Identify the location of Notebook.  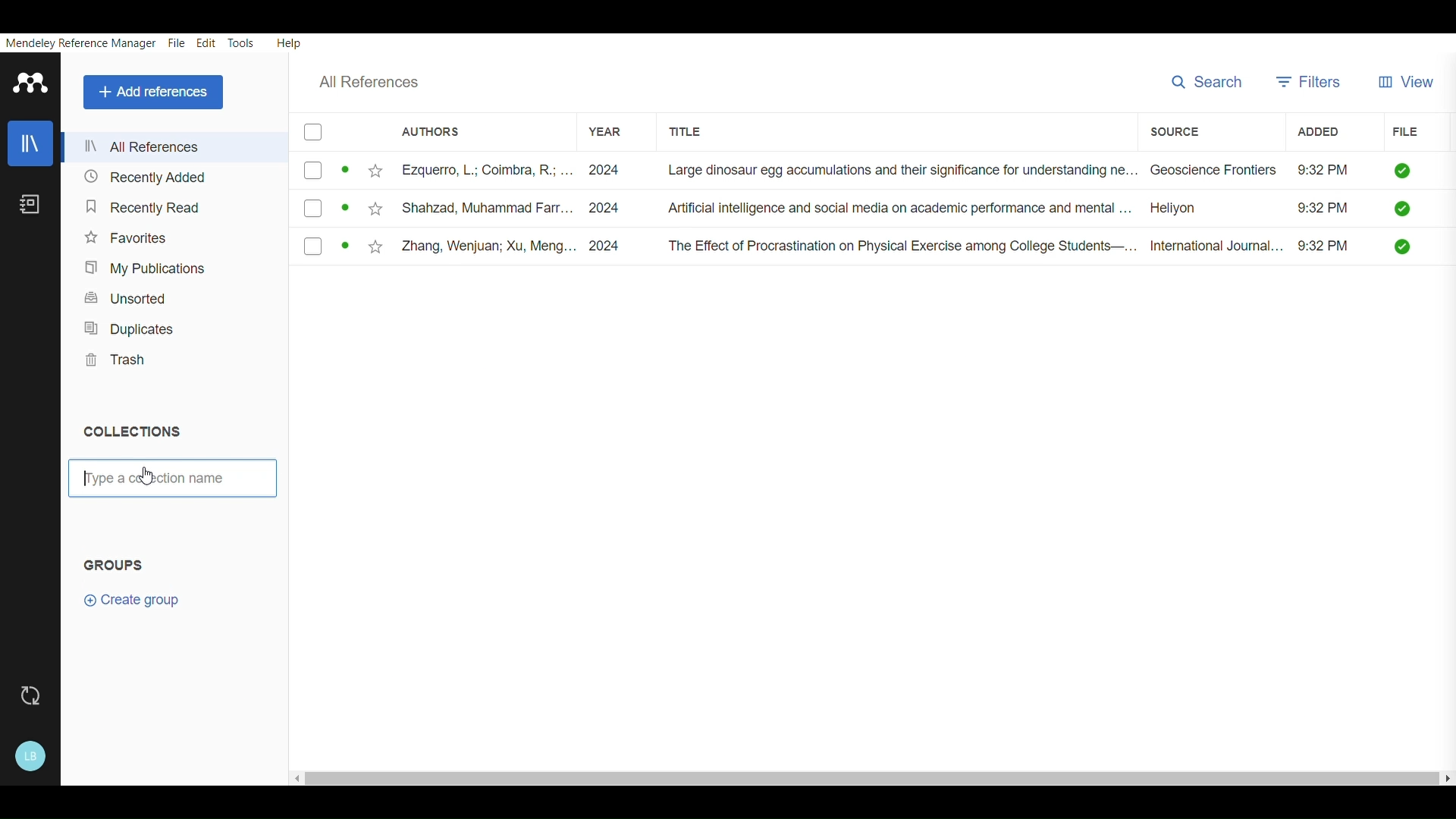
(32, 206).